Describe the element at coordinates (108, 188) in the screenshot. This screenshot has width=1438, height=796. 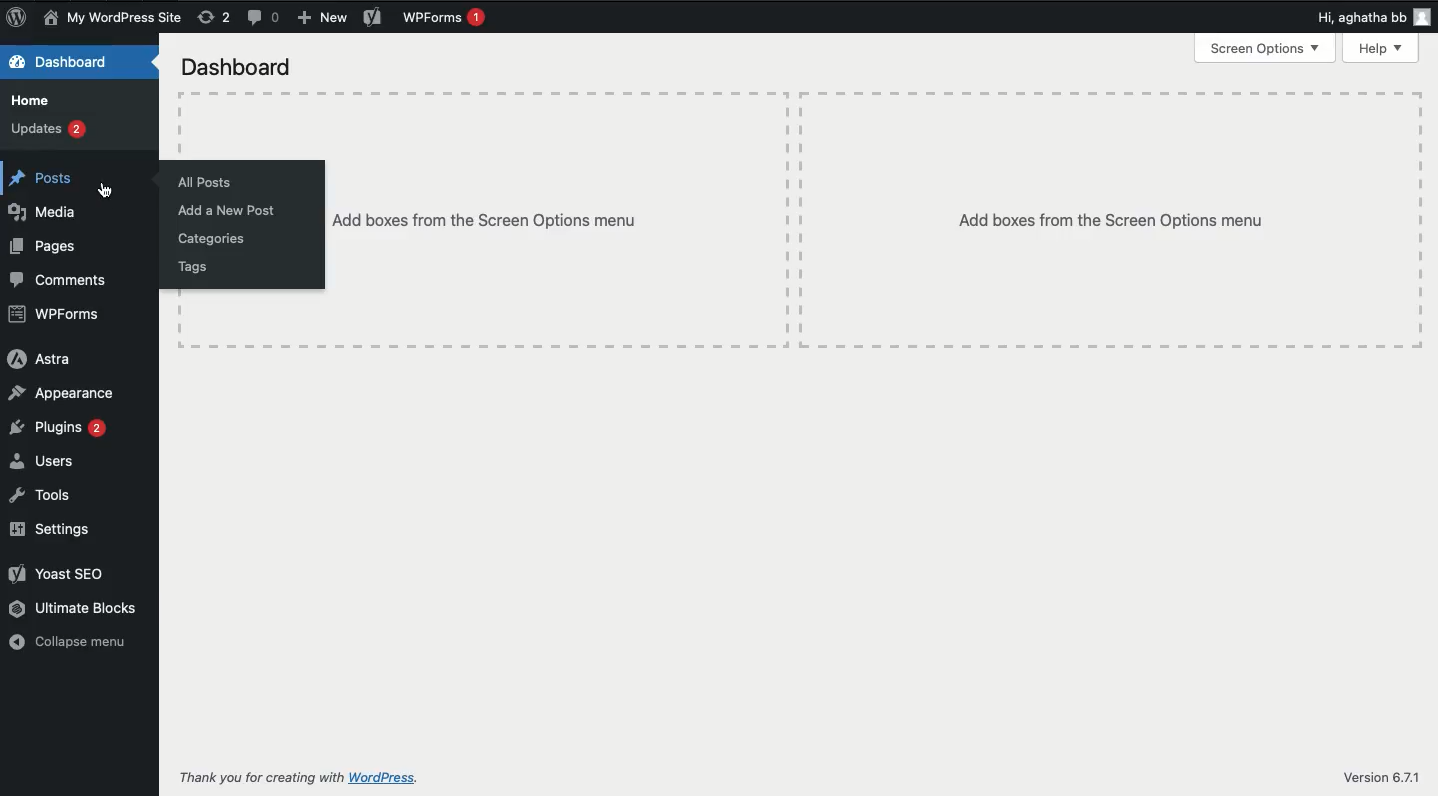
I see `cursor` at that location.